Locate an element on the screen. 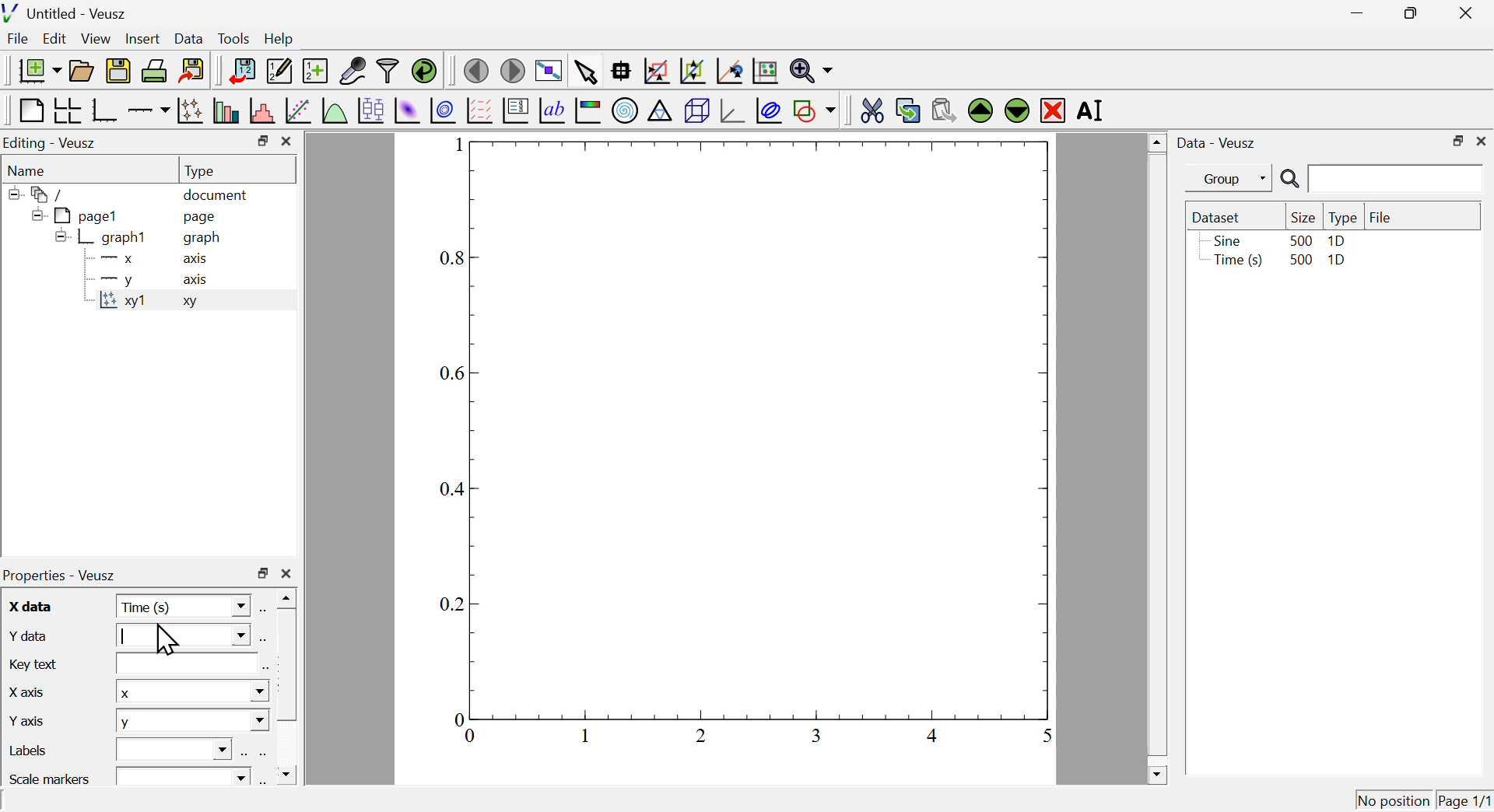  Edit is located at coordinates (55, 40).